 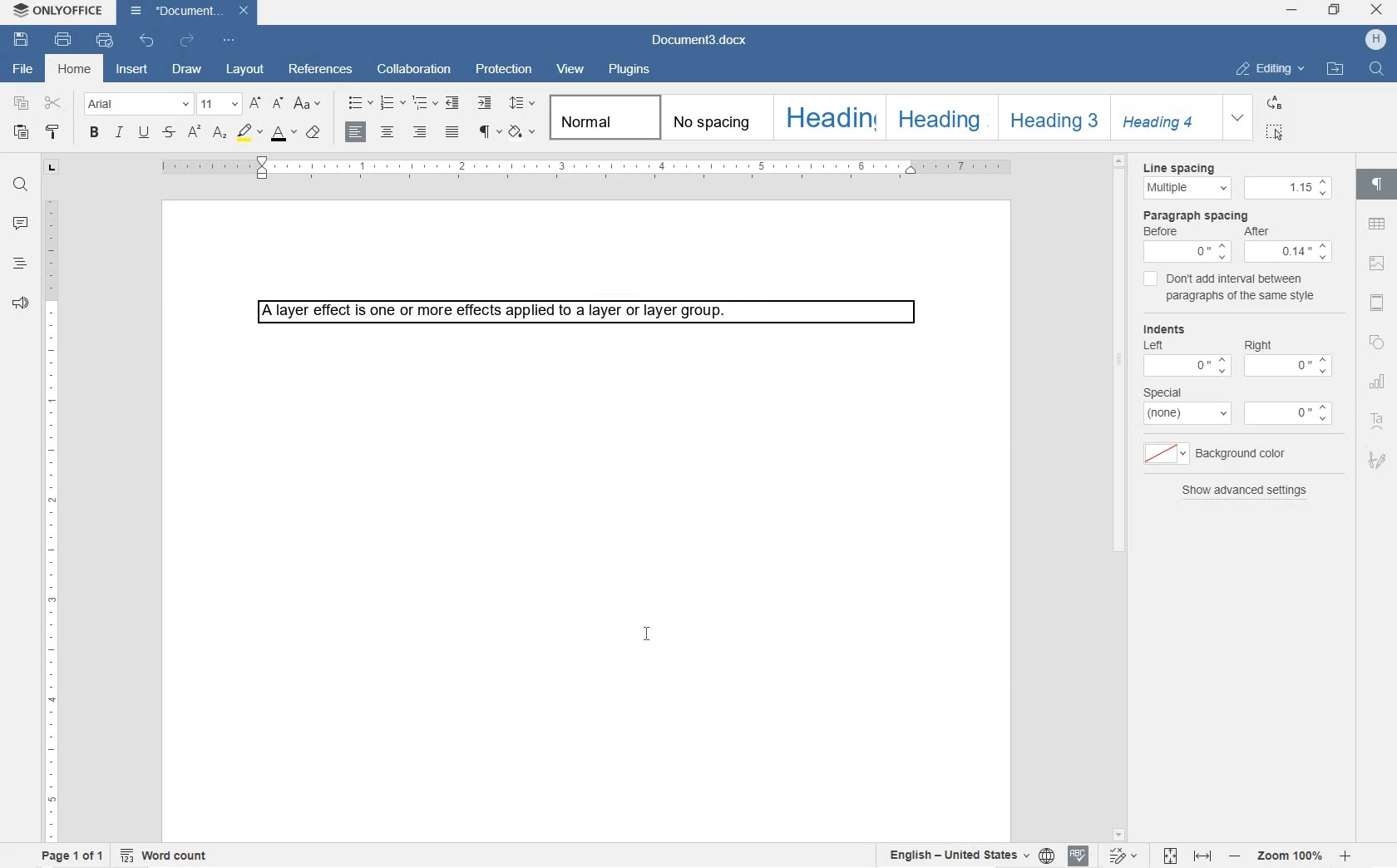 I want to click on ZOOM IN OR OUT, so click(x=1291, y=856).